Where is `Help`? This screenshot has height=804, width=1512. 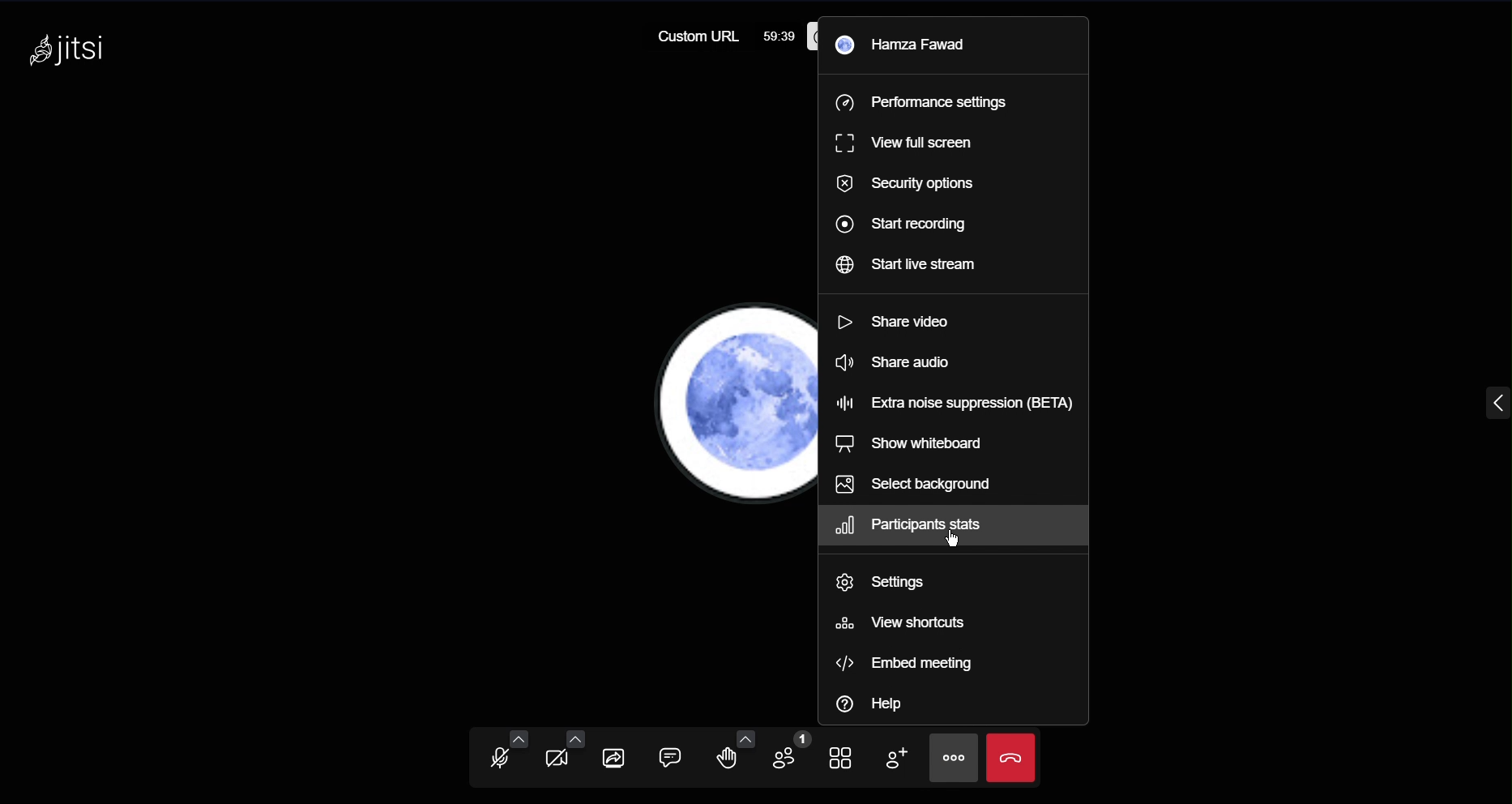
Help is located at coordinates (878, 704).